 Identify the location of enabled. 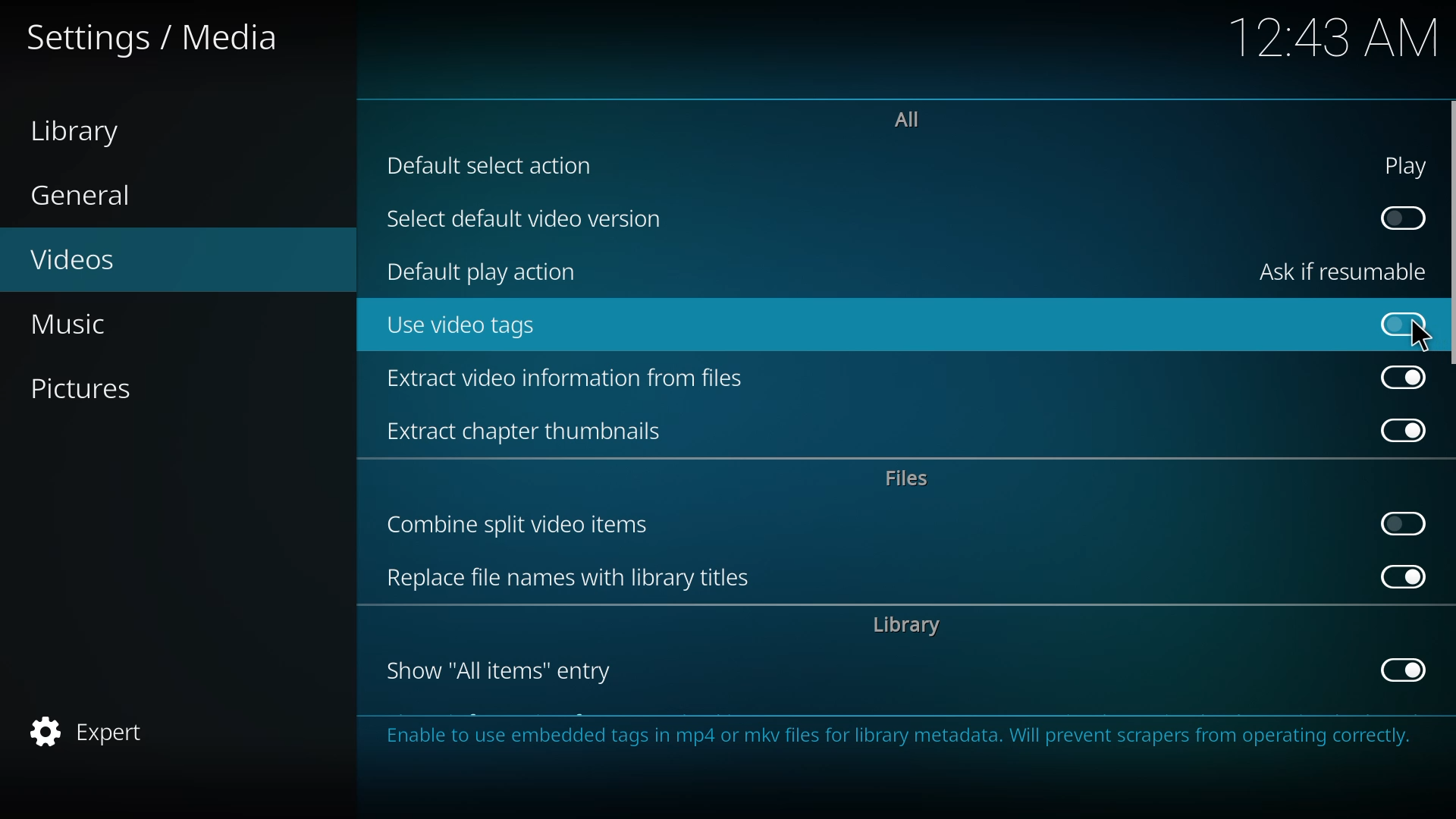
(1403, 576).